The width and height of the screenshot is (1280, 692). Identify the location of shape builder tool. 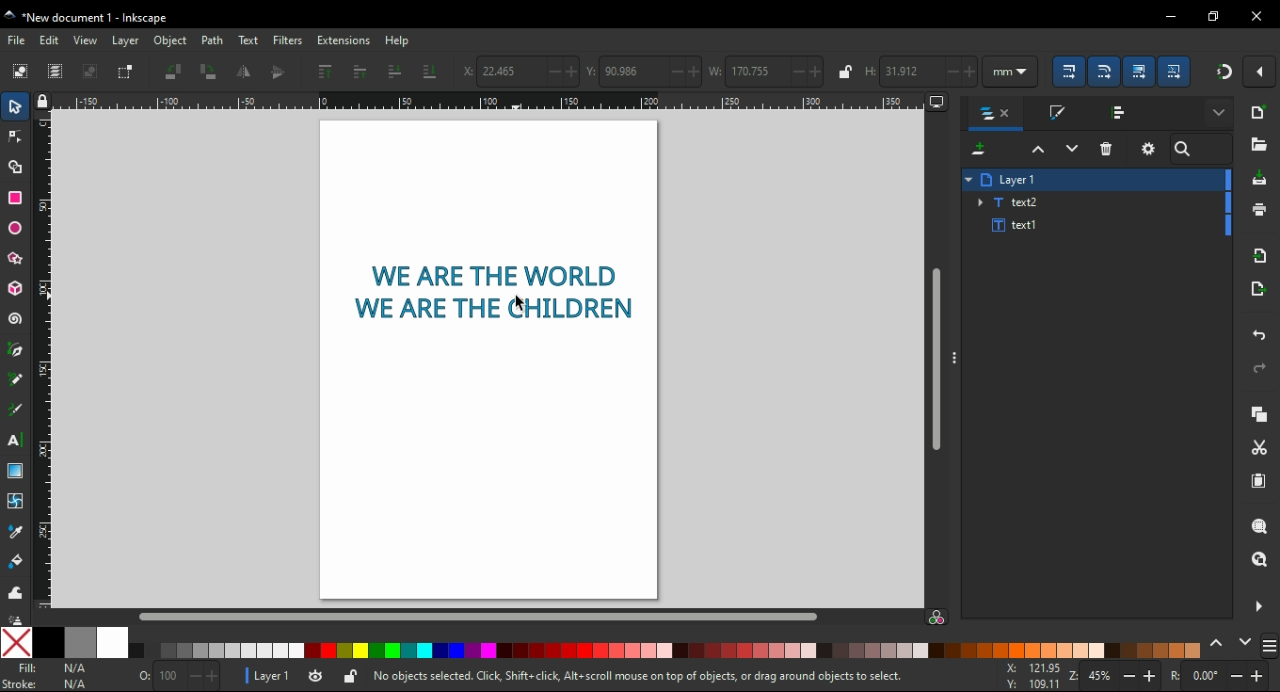
(17, 167).